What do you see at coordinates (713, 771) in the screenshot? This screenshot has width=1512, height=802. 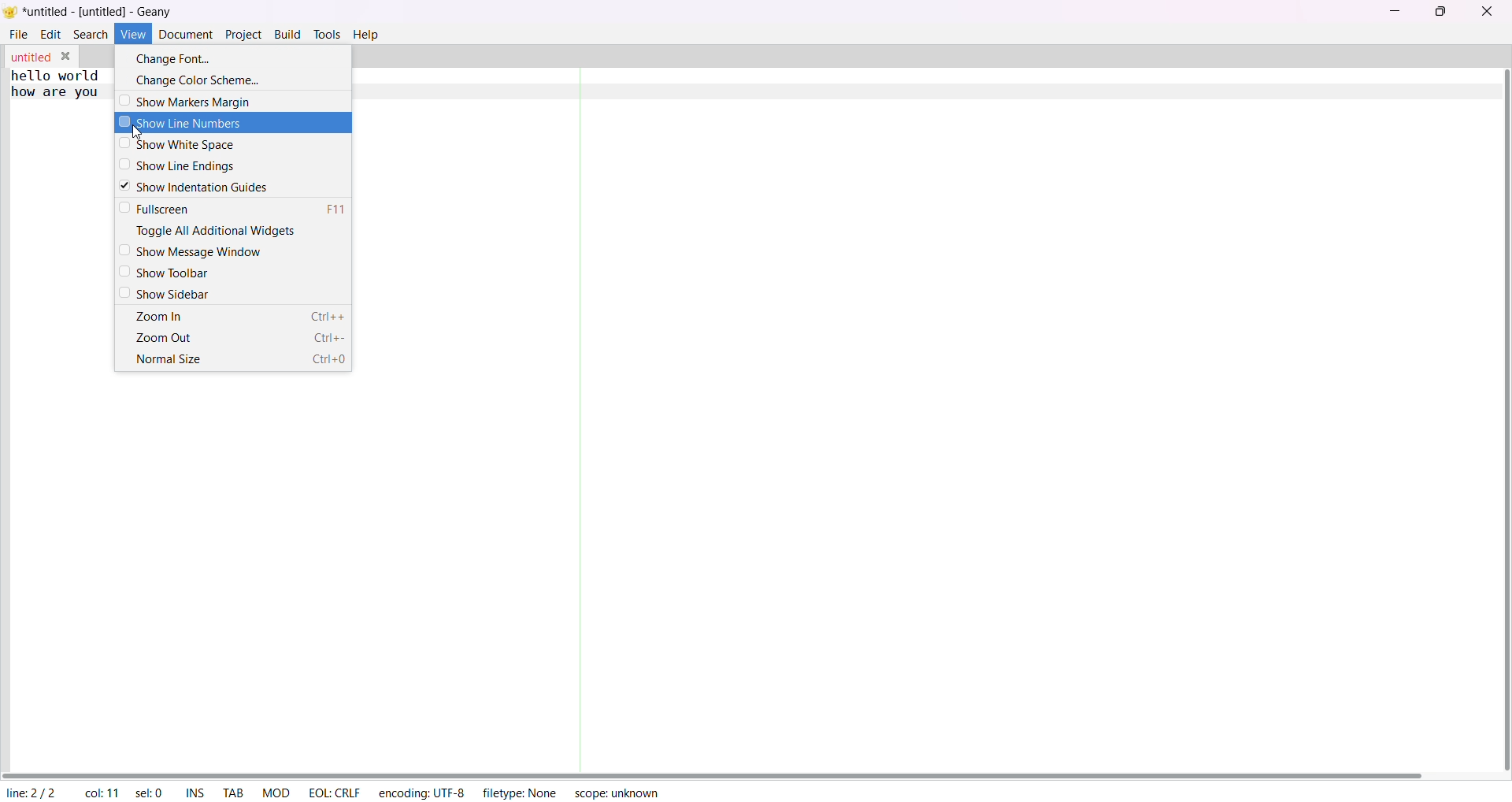 I see `horizontal scroll bar` at bounding box center [713, 771].